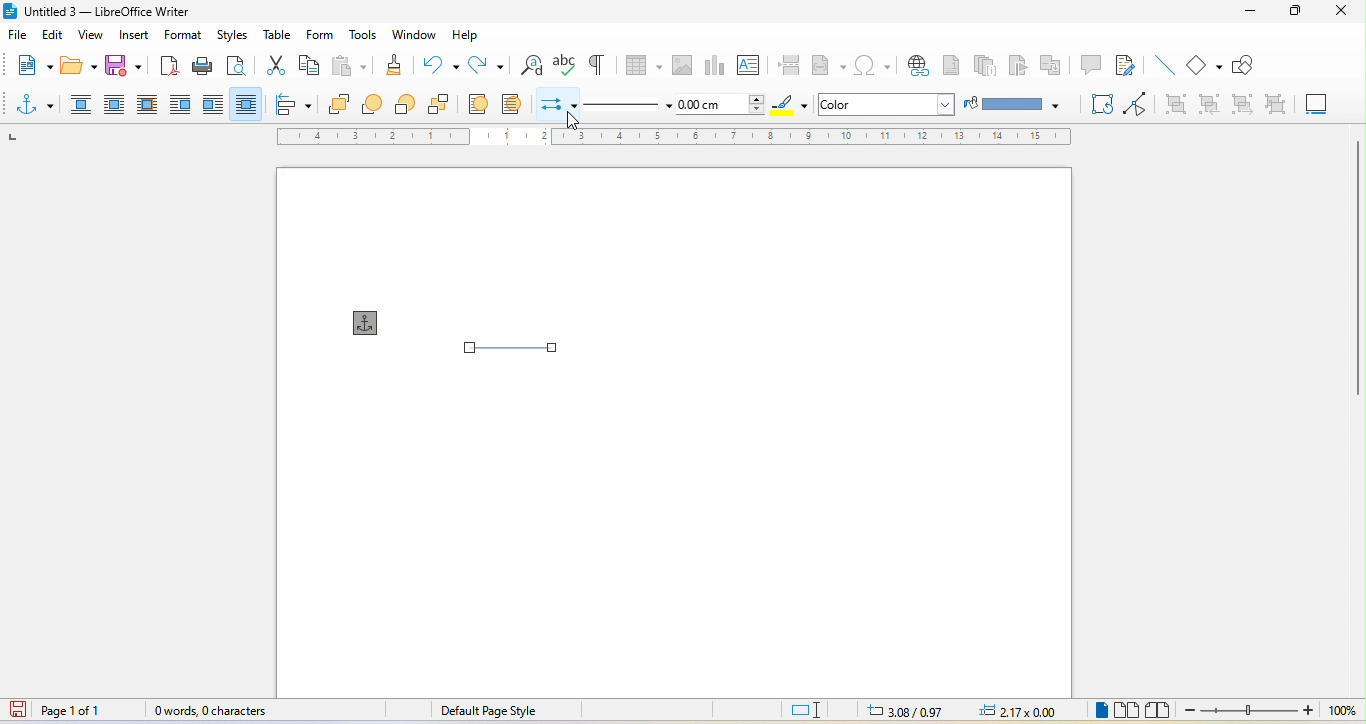 This screenshot has height=724, width=1366. Describe the element at coordinates (202, 65) in the screenshot. I see `print` at that location.